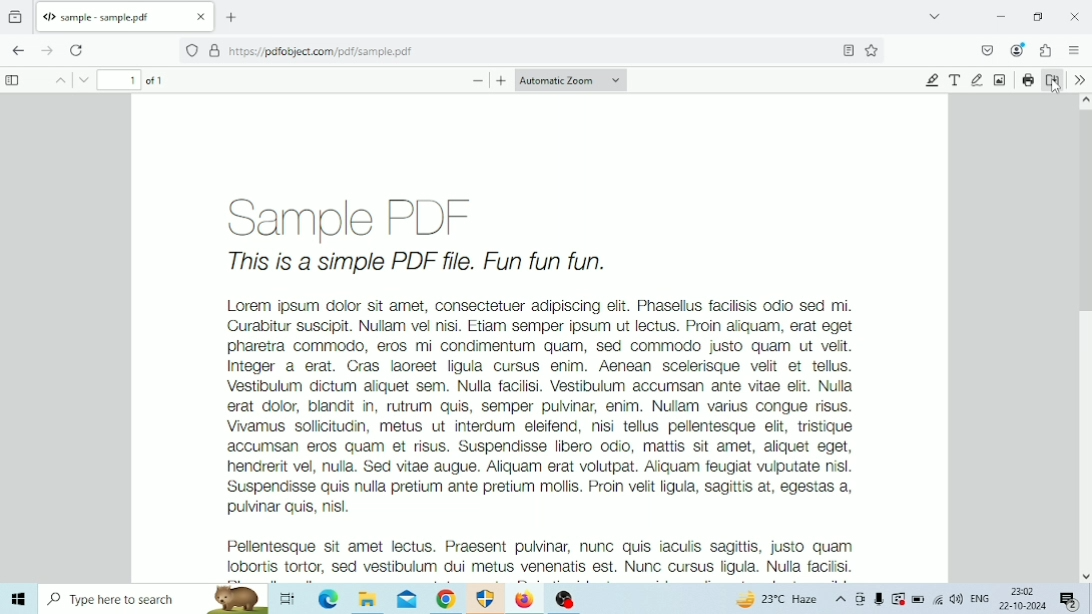 This screenshot has height=614, width=1092. What do you see at coordinates (933, 80) in the screenshot?
I see `Highlight` at bounding box center [933, 80].